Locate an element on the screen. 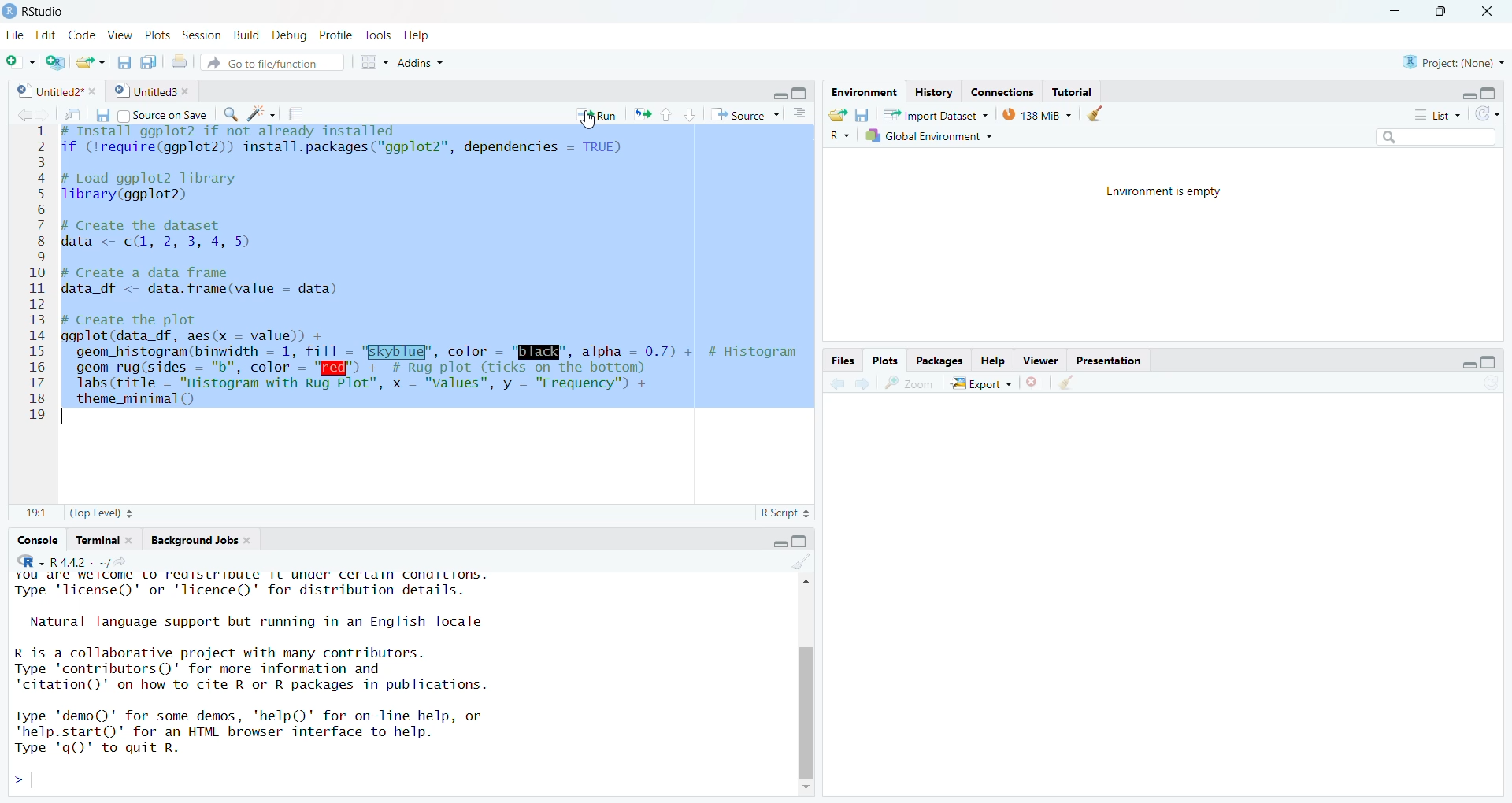 The height and width of the screenshot is (803, 1512). Print current doc is located at coordinates (182, 63).